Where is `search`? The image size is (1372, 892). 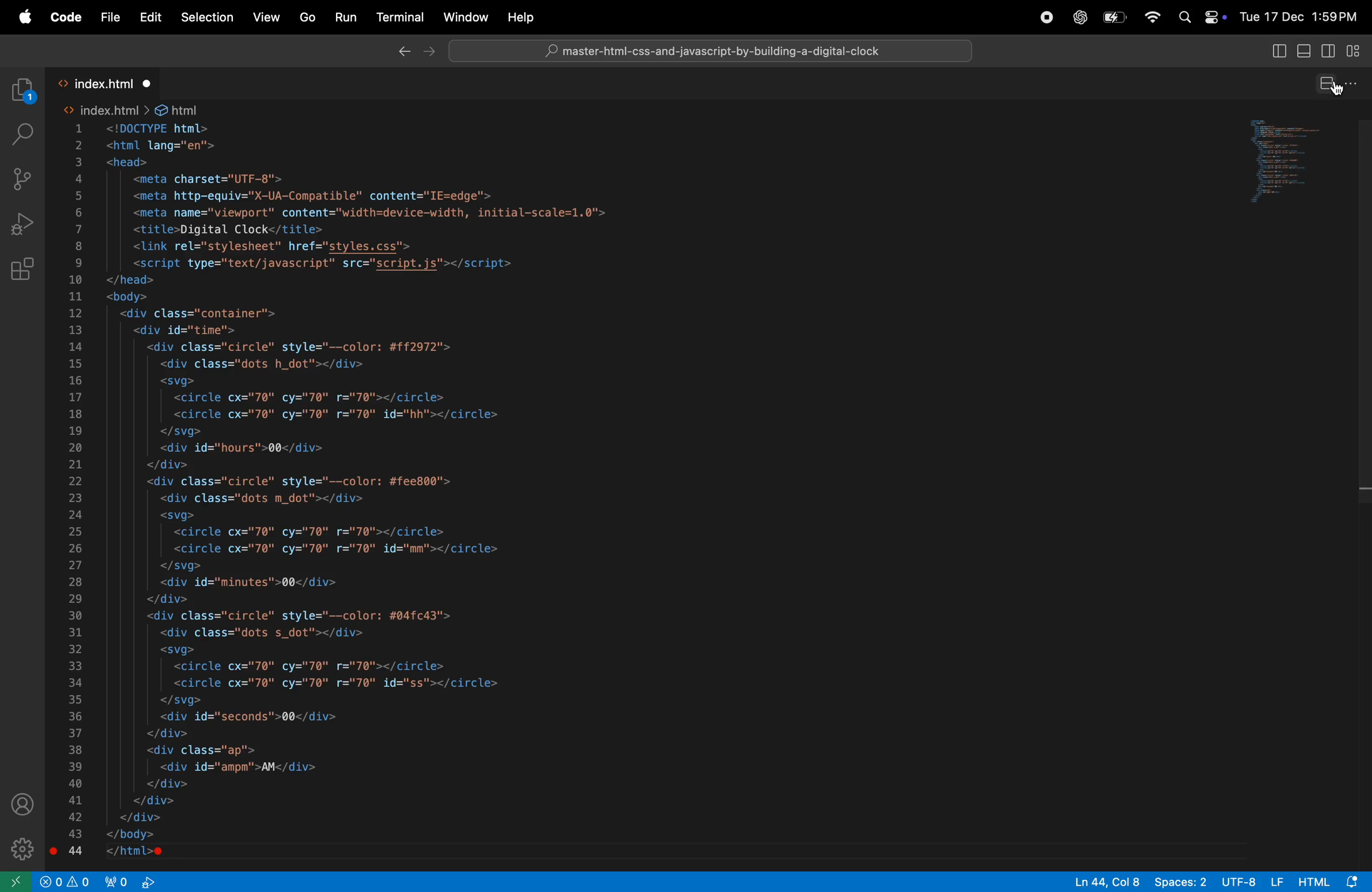
search is located at coordinates (22, 133).